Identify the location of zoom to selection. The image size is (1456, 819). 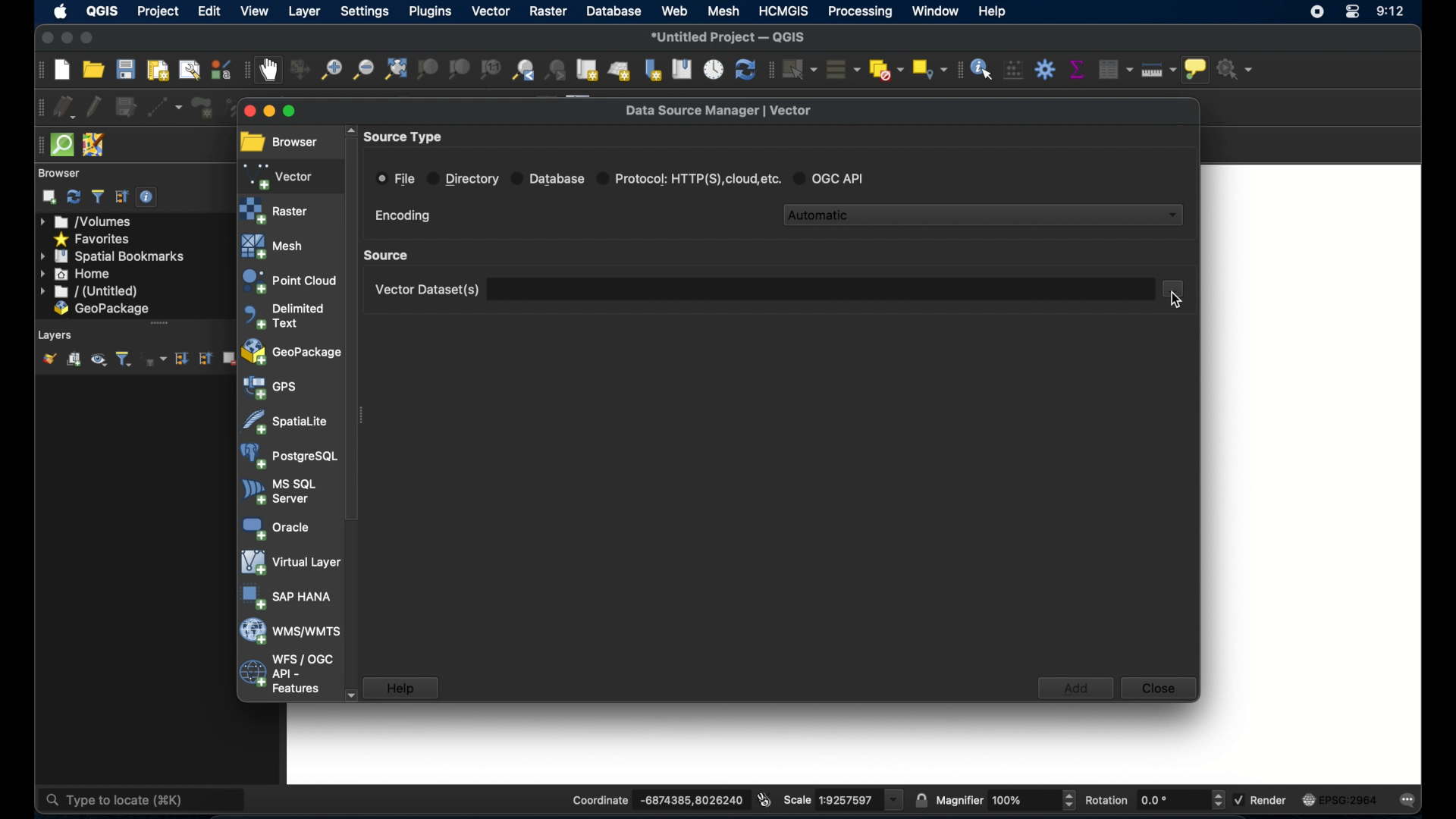
(427, 71).